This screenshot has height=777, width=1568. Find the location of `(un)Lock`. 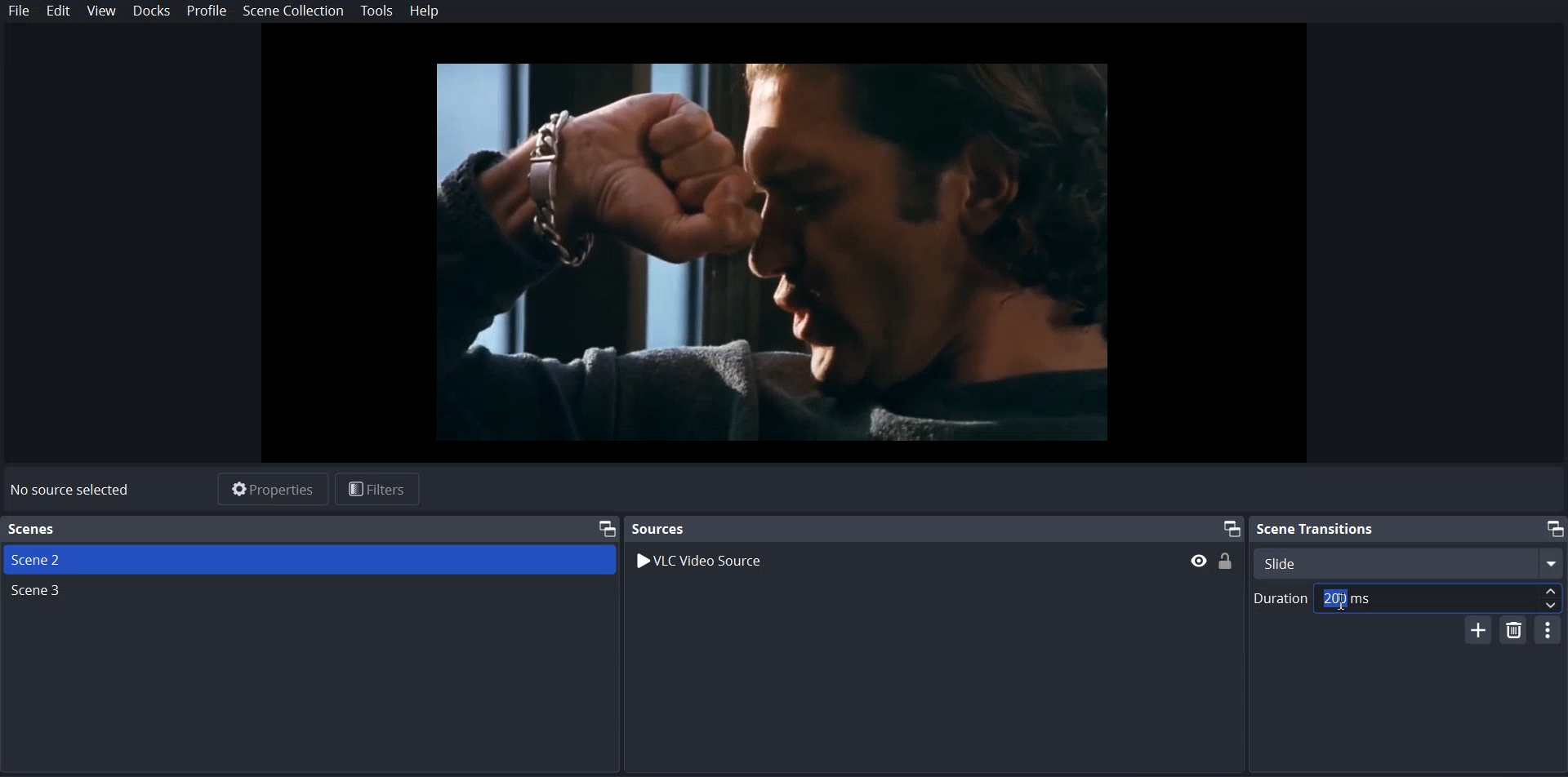

(un)Lock is located at coordinates (1227, 560).